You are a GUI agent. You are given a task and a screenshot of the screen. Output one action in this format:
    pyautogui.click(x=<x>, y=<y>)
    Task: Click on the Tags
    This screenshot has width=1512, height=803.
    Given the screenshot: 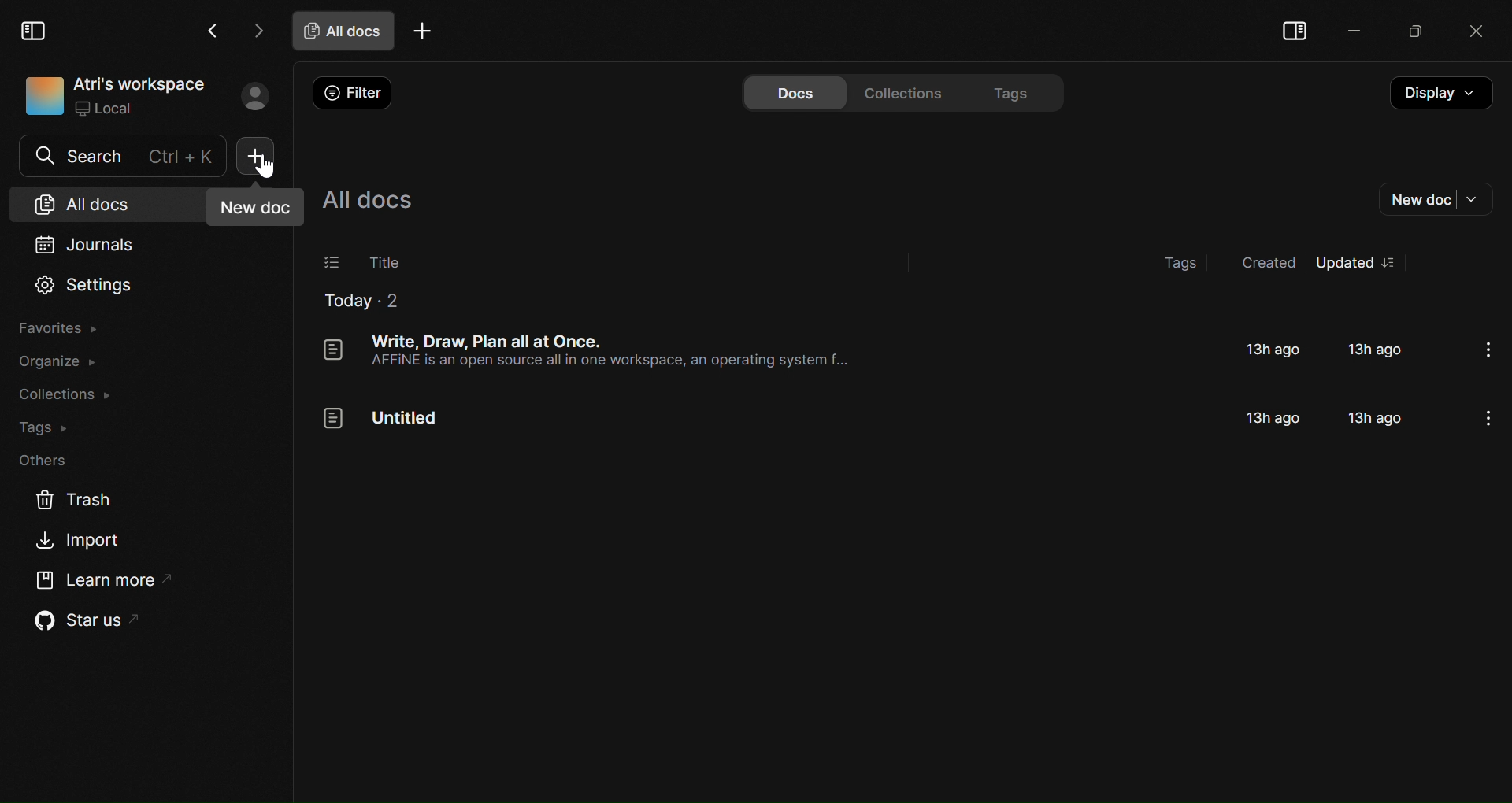 What is the action you would take?
    pyautogui.click(x=1182, y=263)
    